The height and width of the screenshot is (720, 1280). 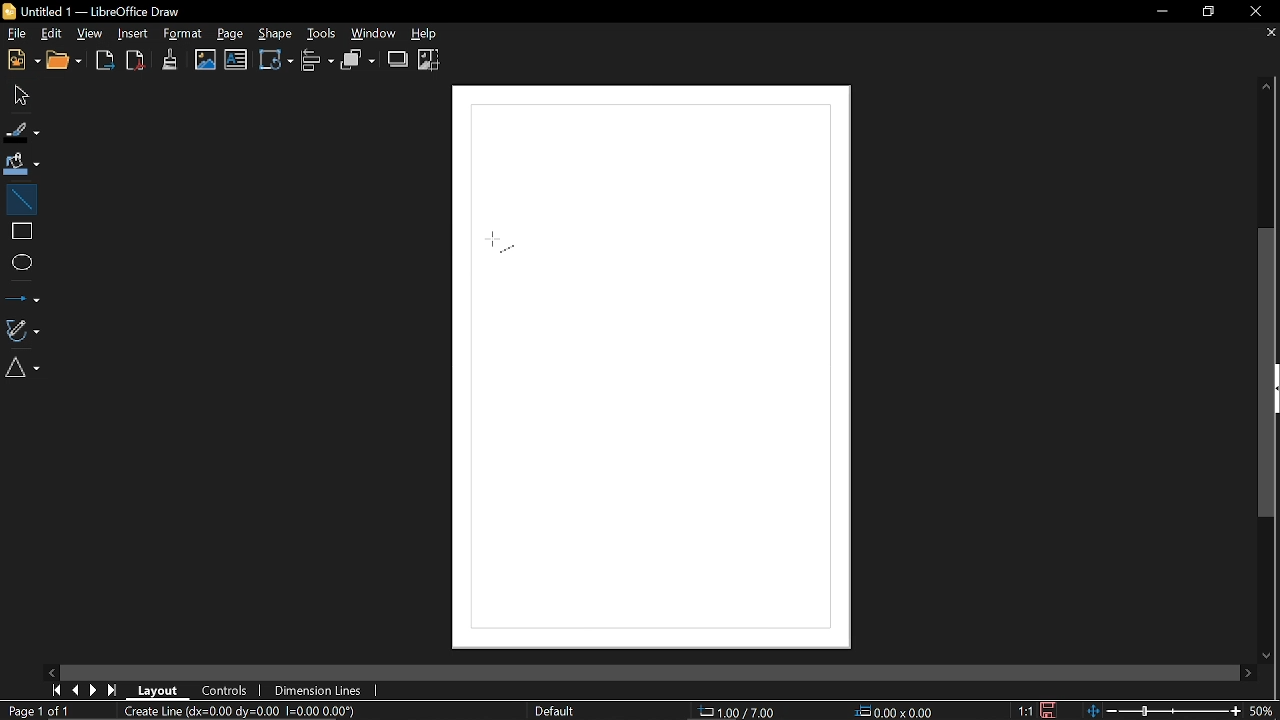 I want to click on basic shapes, so click(x=26, y=370).